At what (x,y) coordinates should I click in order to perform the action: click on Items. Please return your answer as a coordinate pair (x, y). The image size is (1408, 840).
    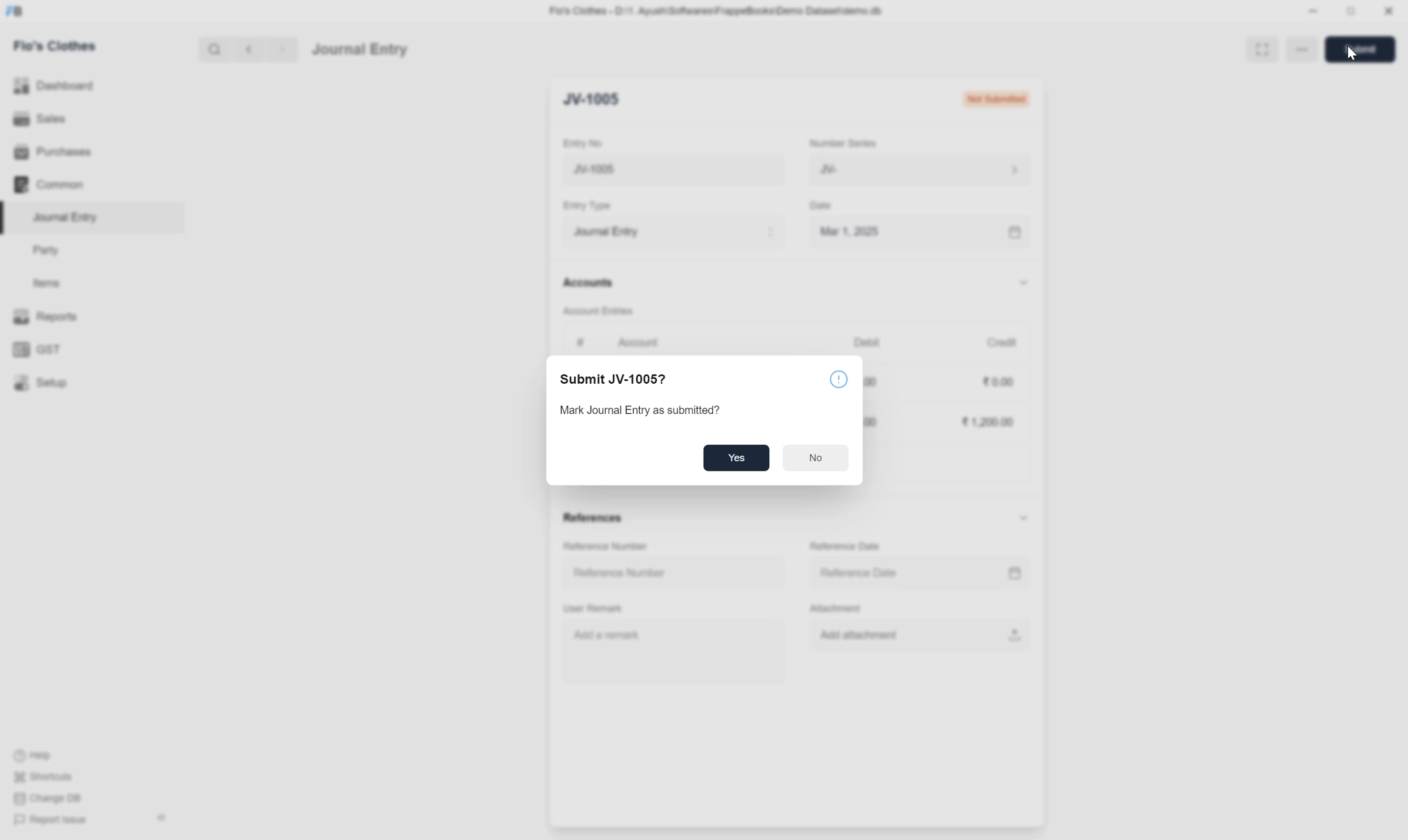
    Looking at the image, I should click on (46, 282).